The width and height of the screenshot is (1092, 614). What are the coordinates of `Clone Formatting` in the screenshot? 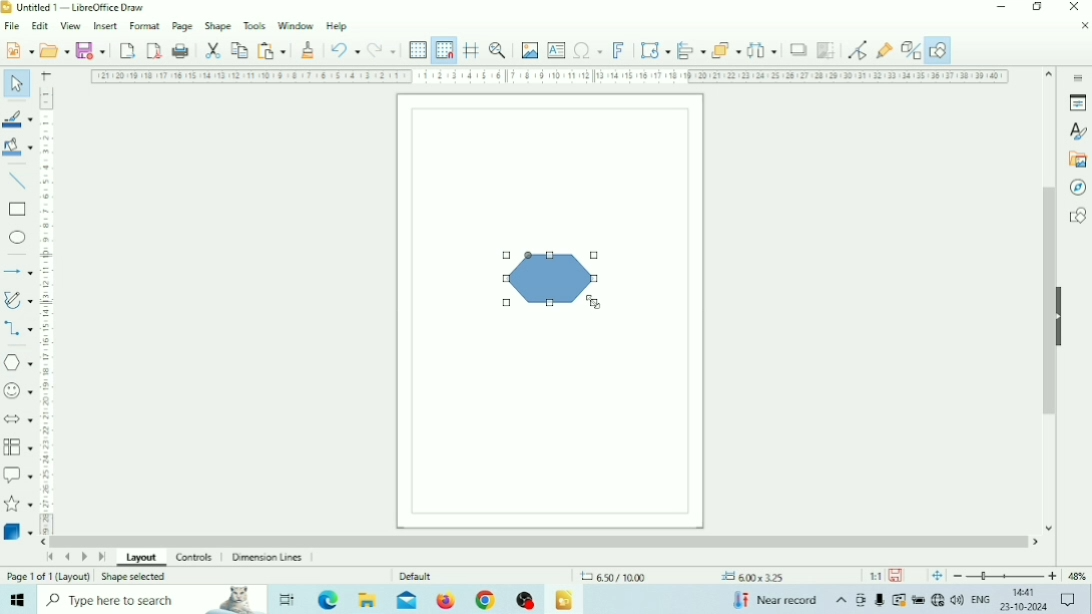 It's located at (308, 50).